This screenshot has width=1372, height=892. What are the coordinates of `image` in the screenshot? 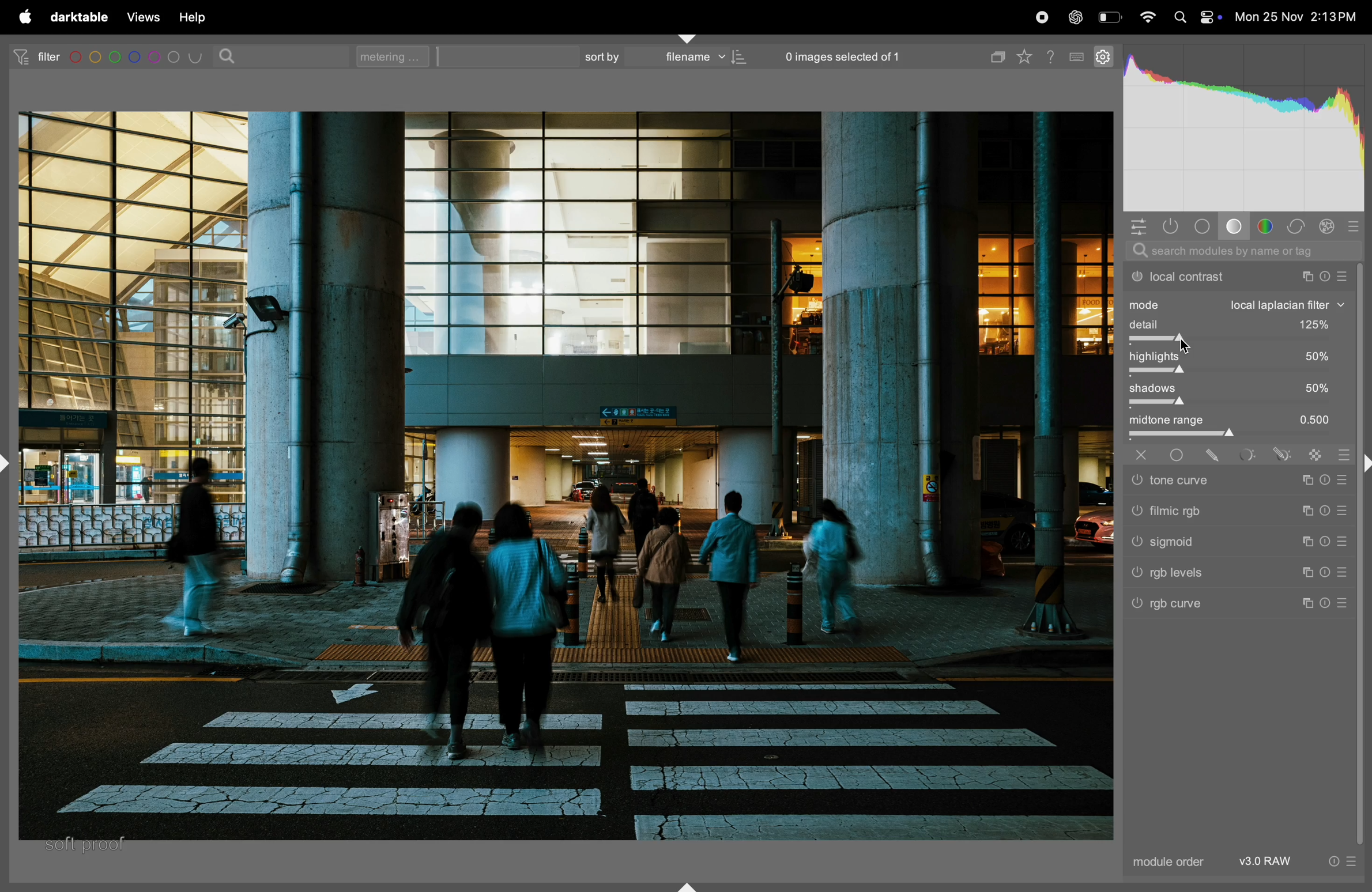 It's located at (561, 477).